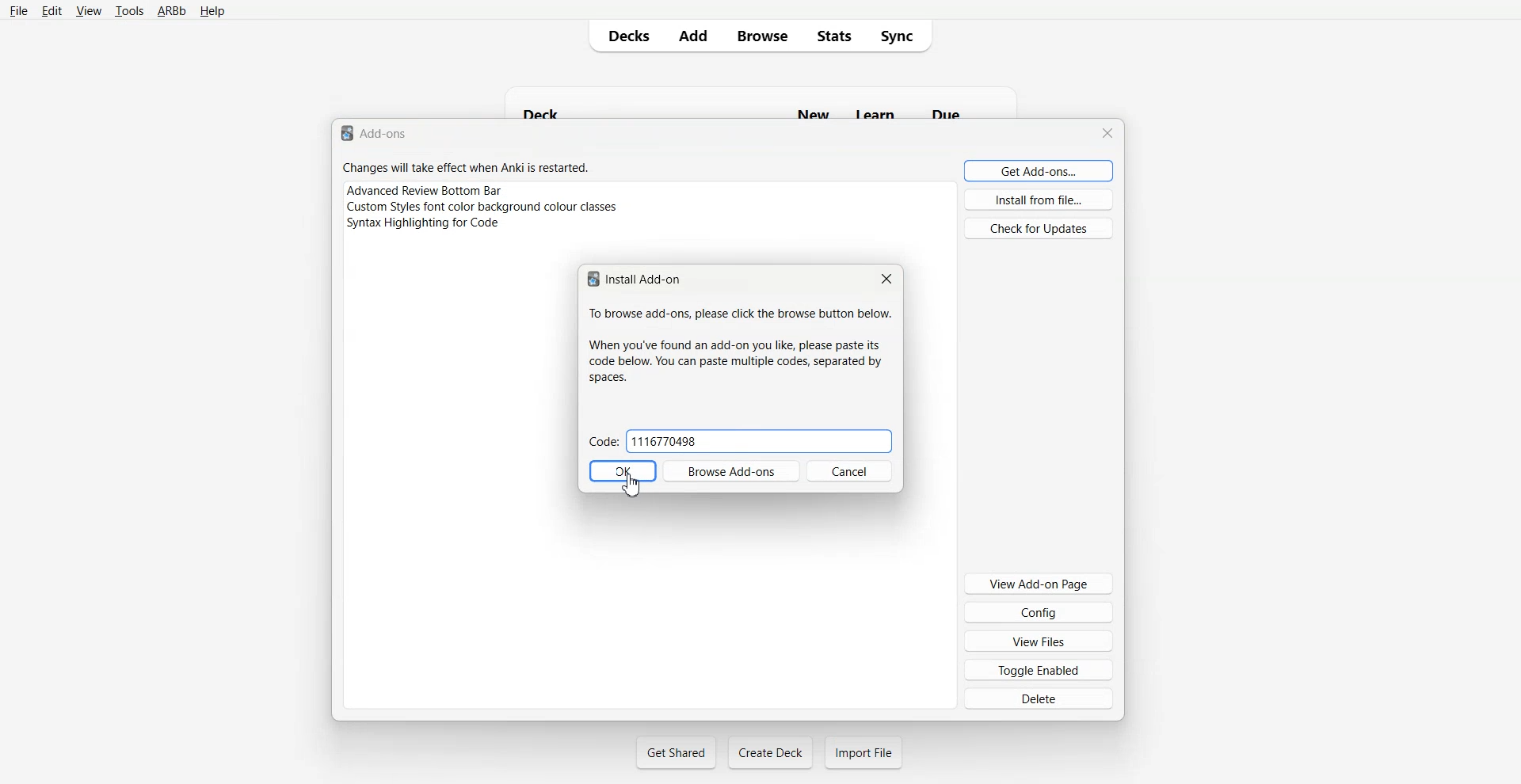 The image size is (1521, 784). What do you see at coordinates (1039, 698) in the screenshot?
I see `Delete` at bounding box center [1039, 698].